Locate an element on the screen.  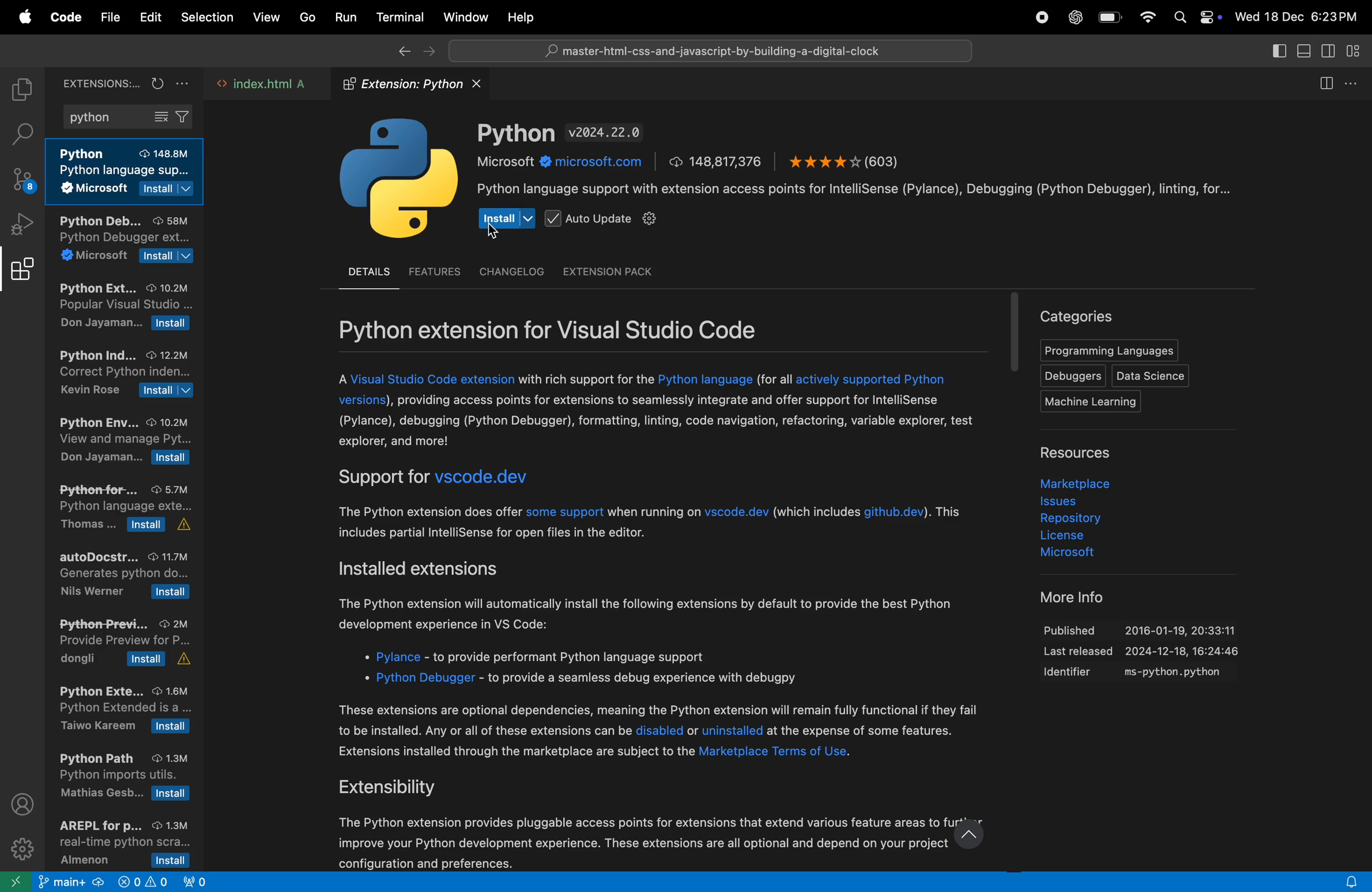
winodw is located at coordinates (465, 17).